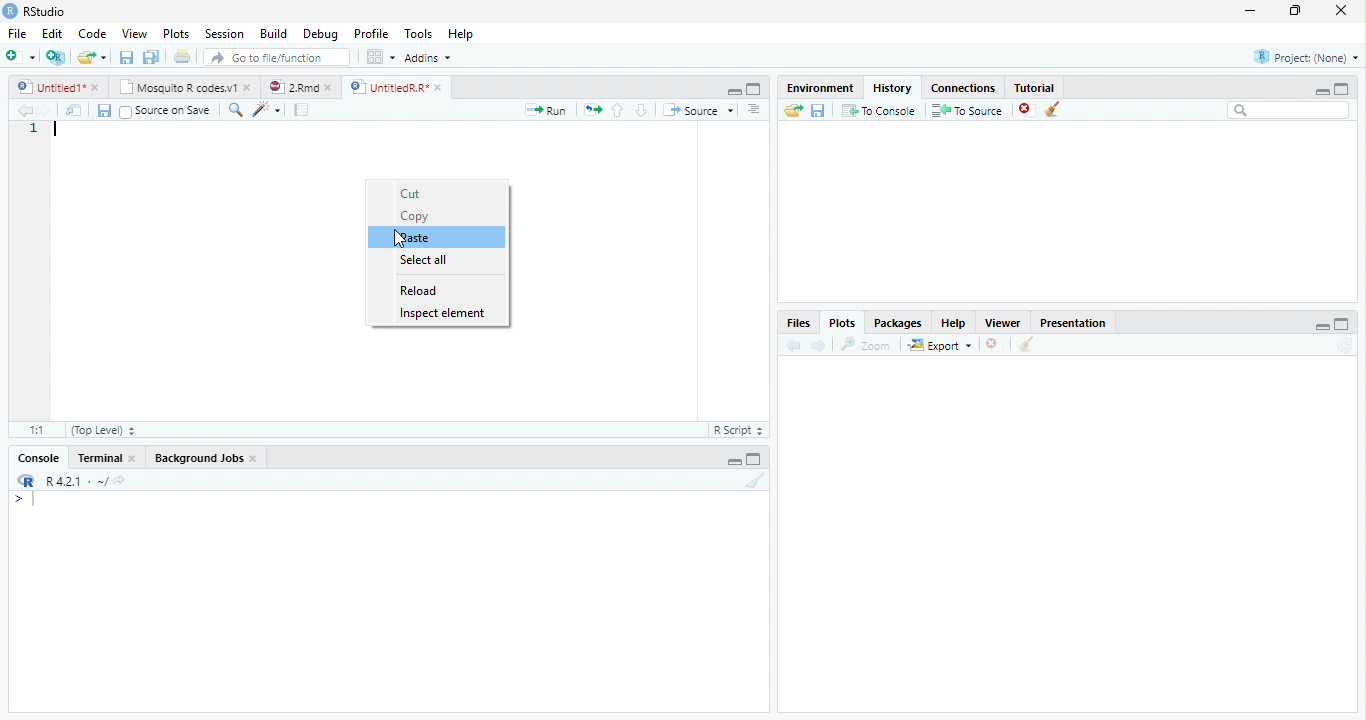 The image size is (1366, 720). What do you see at coordinates (754, 88) in the screenshot?
I see `maximize` at bounding box center [754, 88].